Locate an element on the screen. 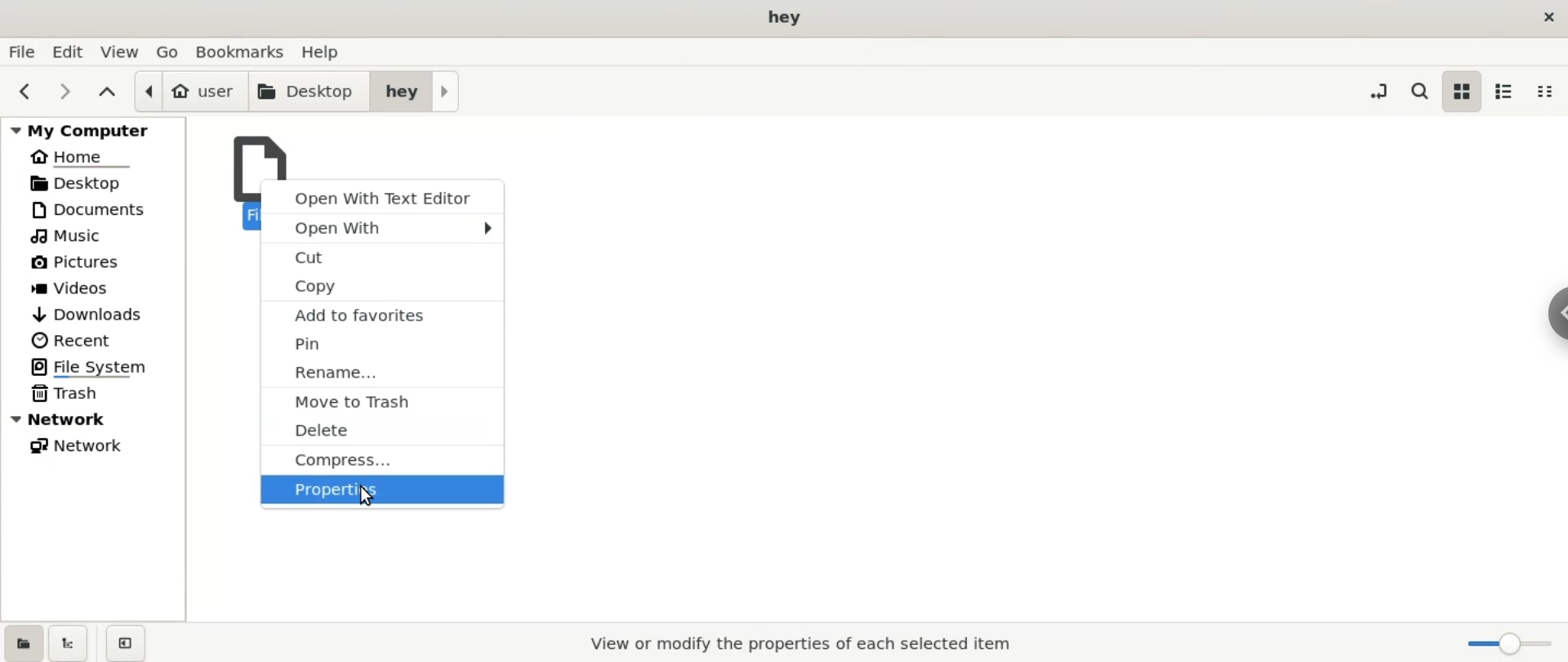 This screenshot has height=662, width=1568. show treeview is located at coordinates (73, 642).